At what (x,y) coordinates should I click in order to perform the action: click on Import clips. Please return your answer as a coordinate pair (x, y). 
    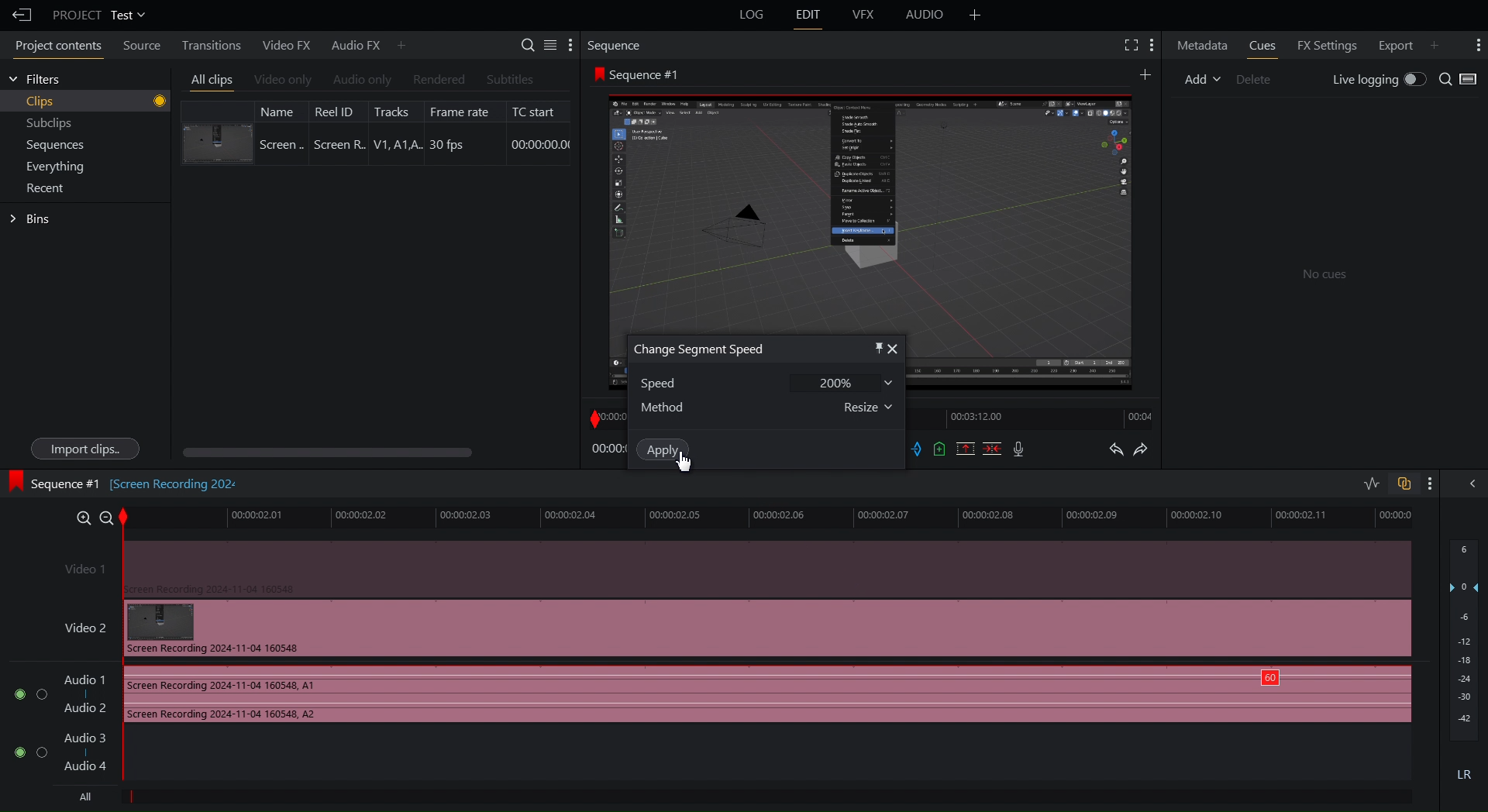
    Looking at the image, I should click on (84, 449).